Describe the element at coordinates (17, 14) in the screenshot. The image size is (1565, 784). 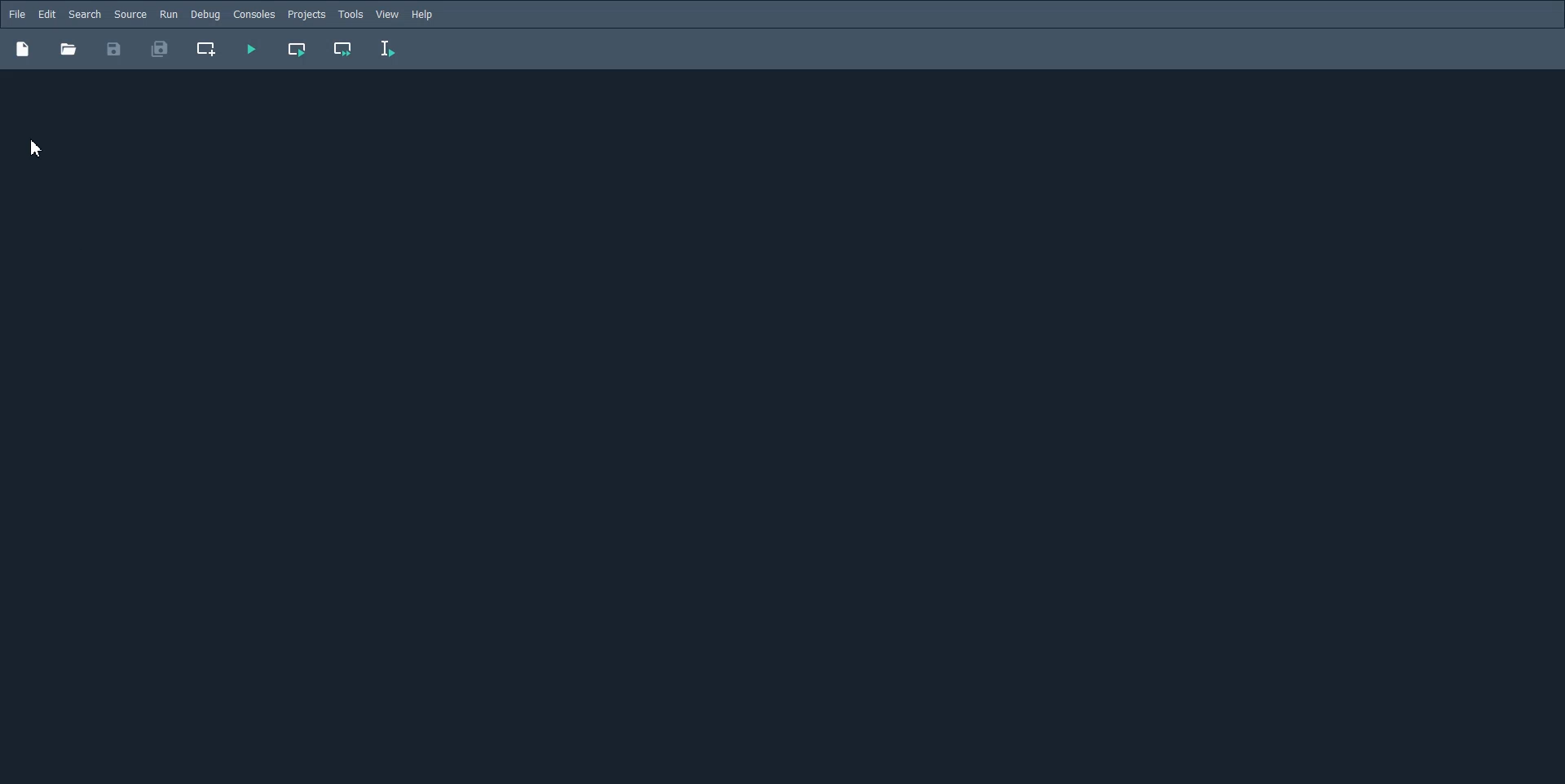
I see `File` at that location.